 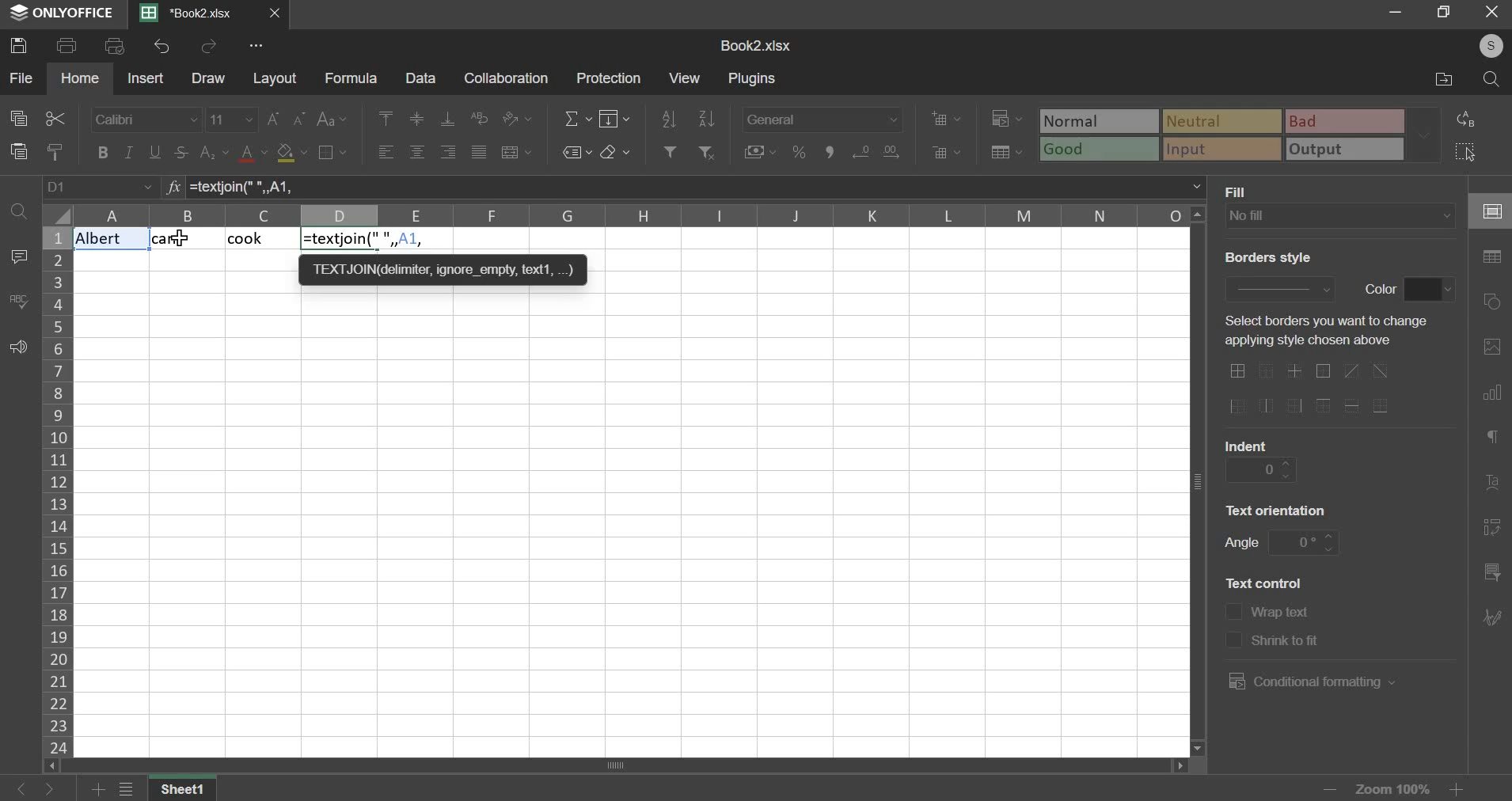 I want to click on align right, so click(x=449, y=152).